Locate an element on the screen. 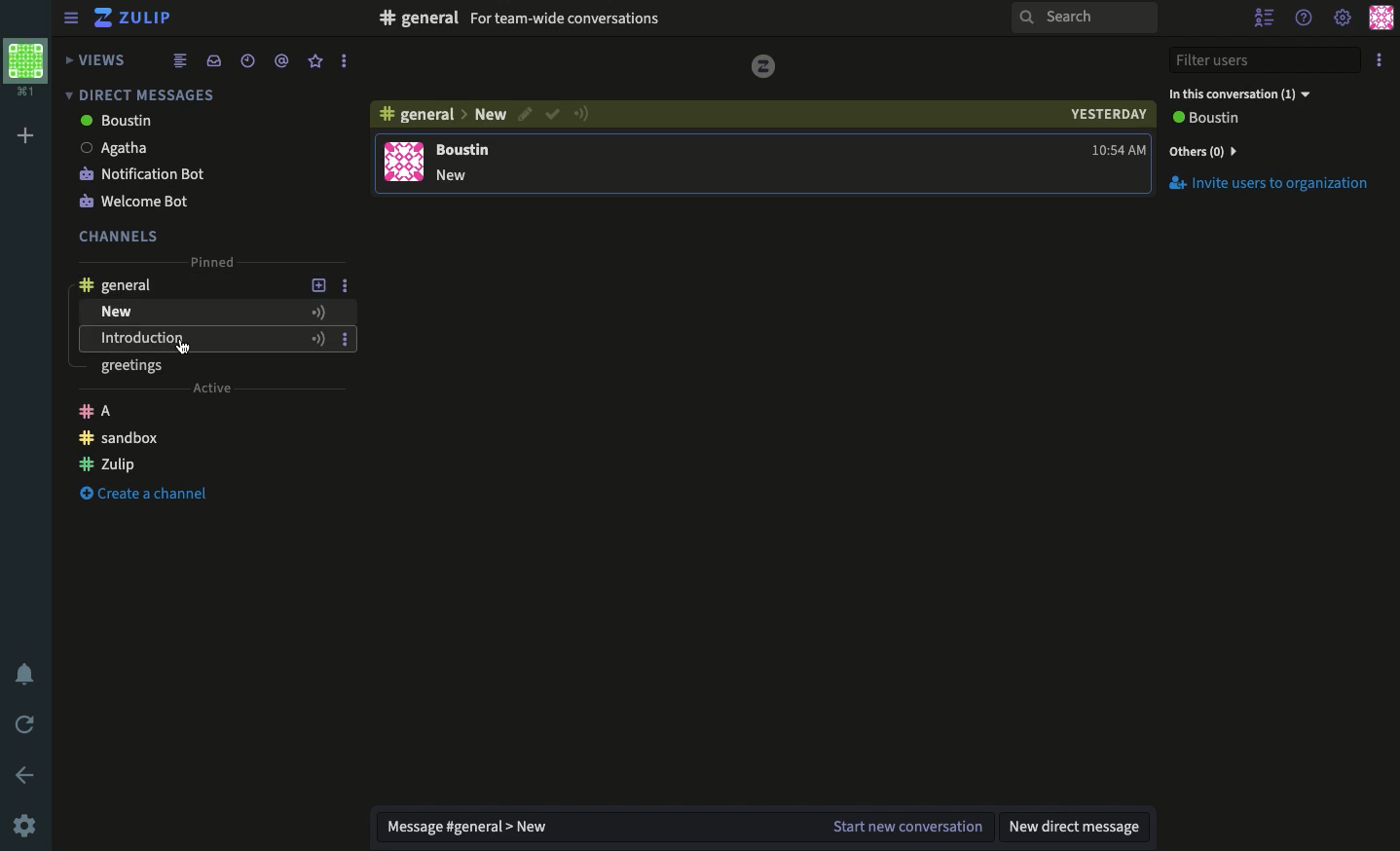 Image resolution: width=1400 pixels, height=851 pixels. Active is located at coordinates (317, 339).